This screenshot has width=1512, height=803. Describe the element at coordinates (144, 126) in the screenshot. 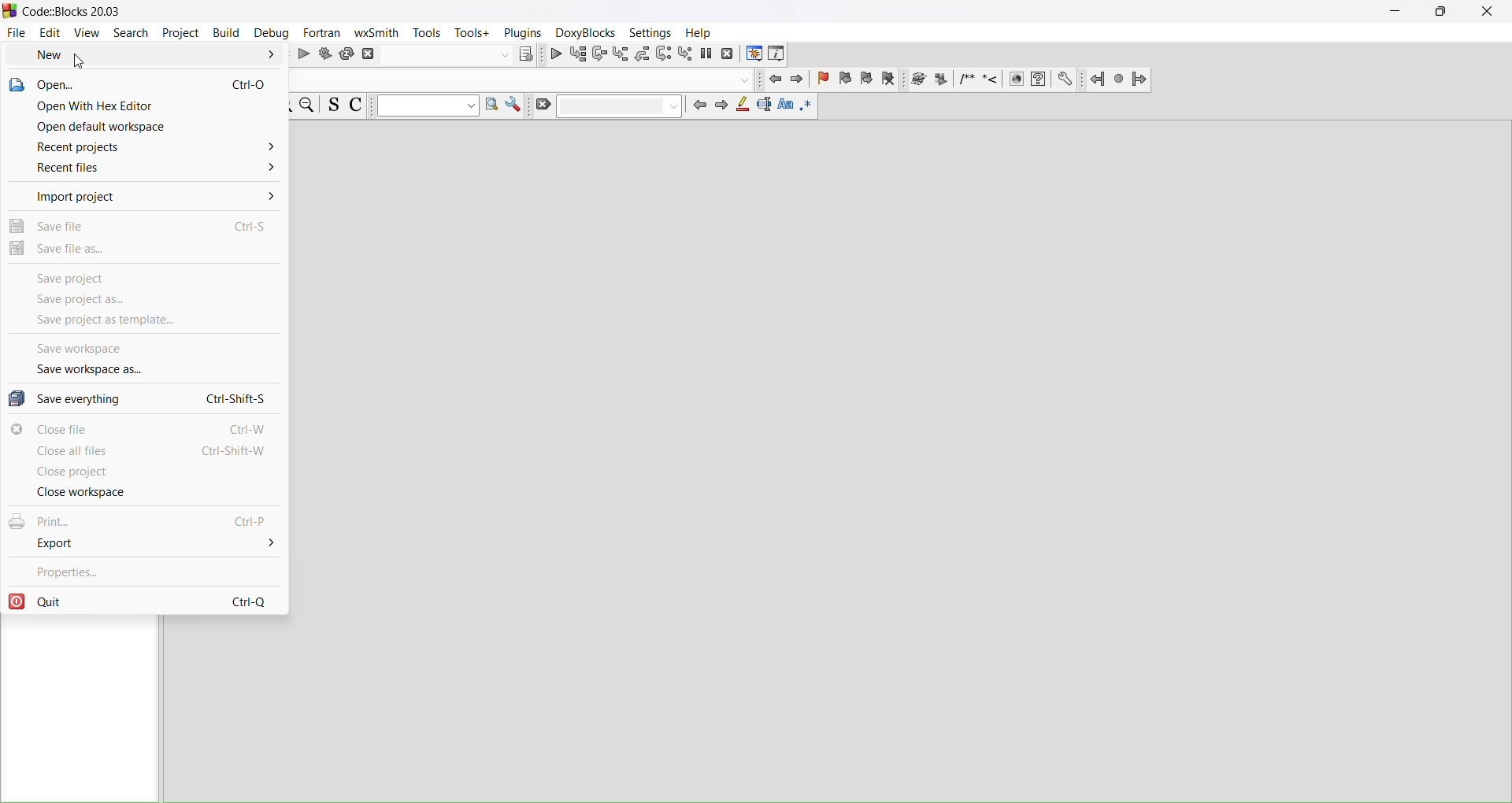

I see `open default workspace` at that location.